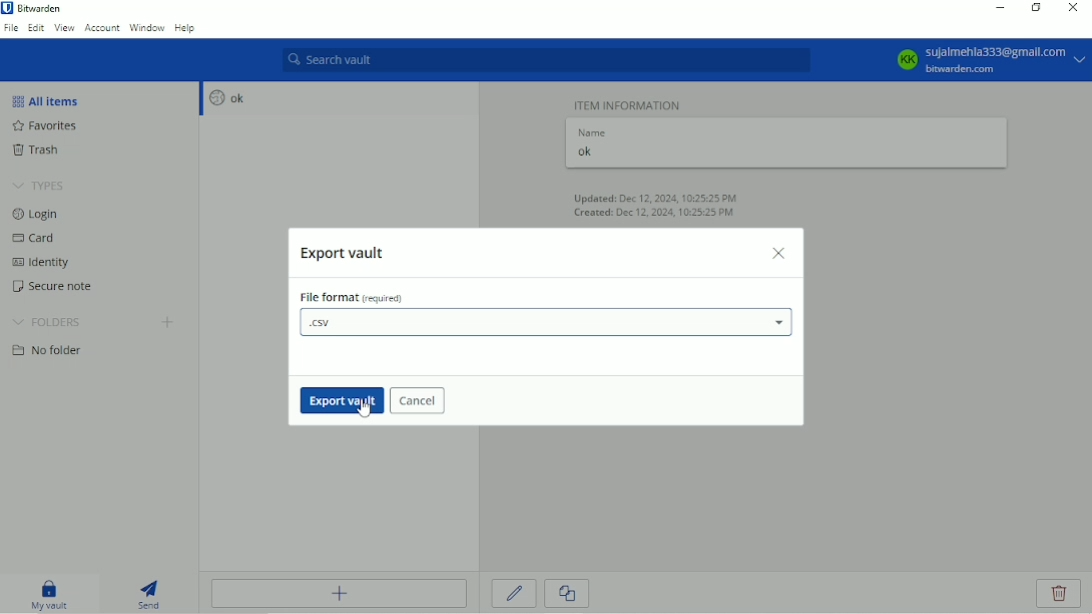  I want to click on All items, so click(51, 100).